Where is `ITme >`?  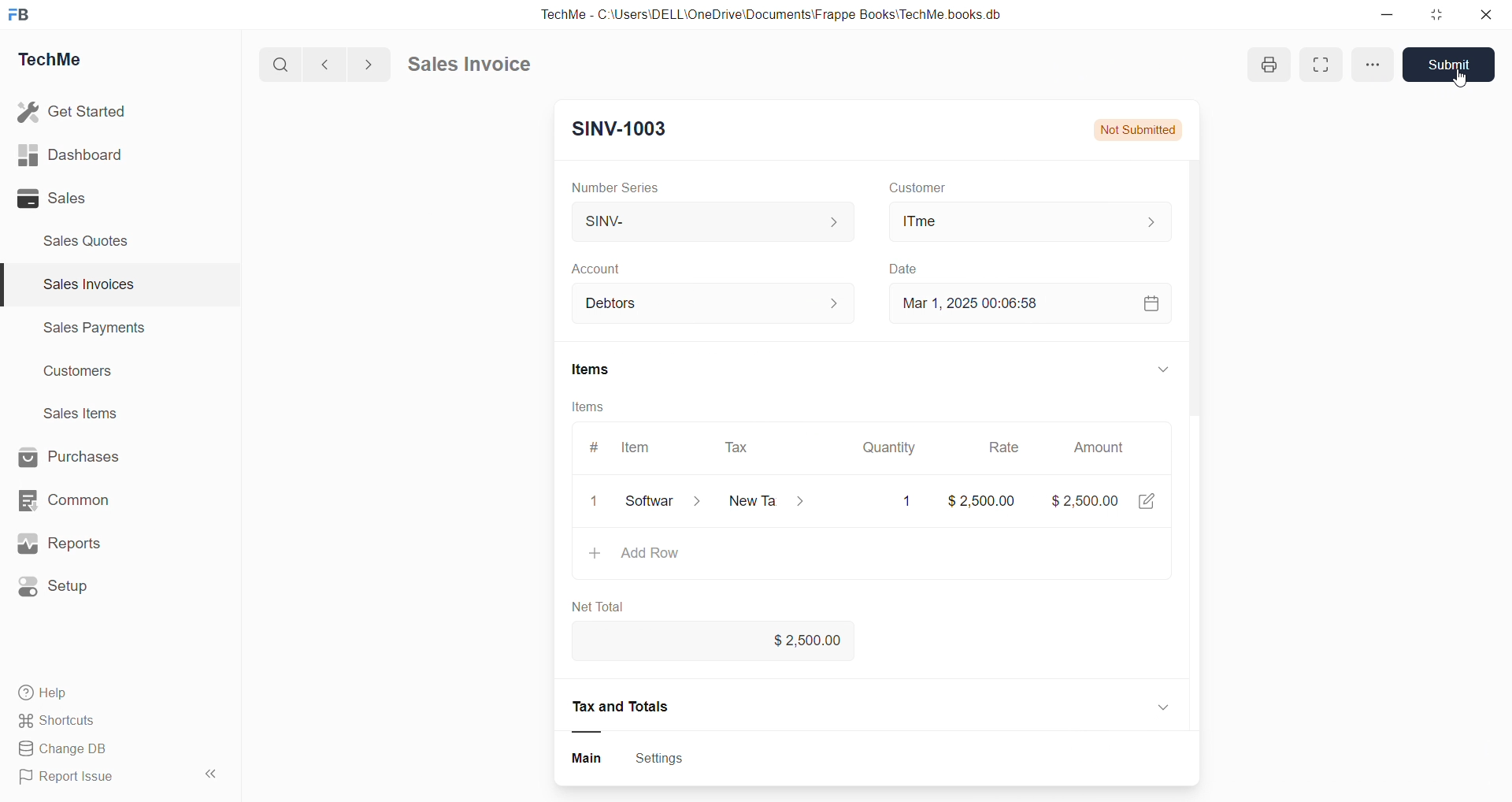 ITme > is located at coordinates (1028, 221).